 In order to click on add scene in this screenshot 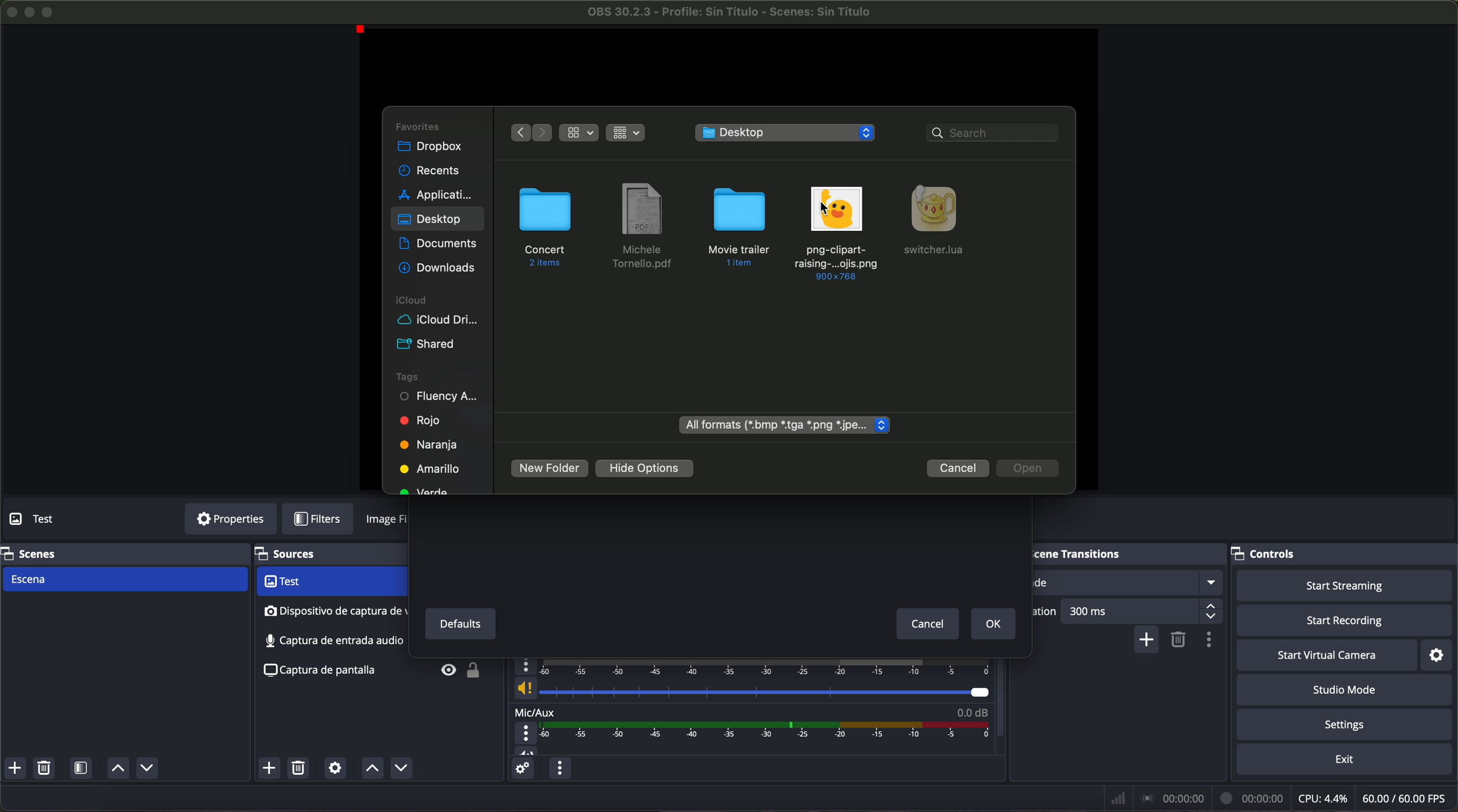, I will do `click(15, 768)`.